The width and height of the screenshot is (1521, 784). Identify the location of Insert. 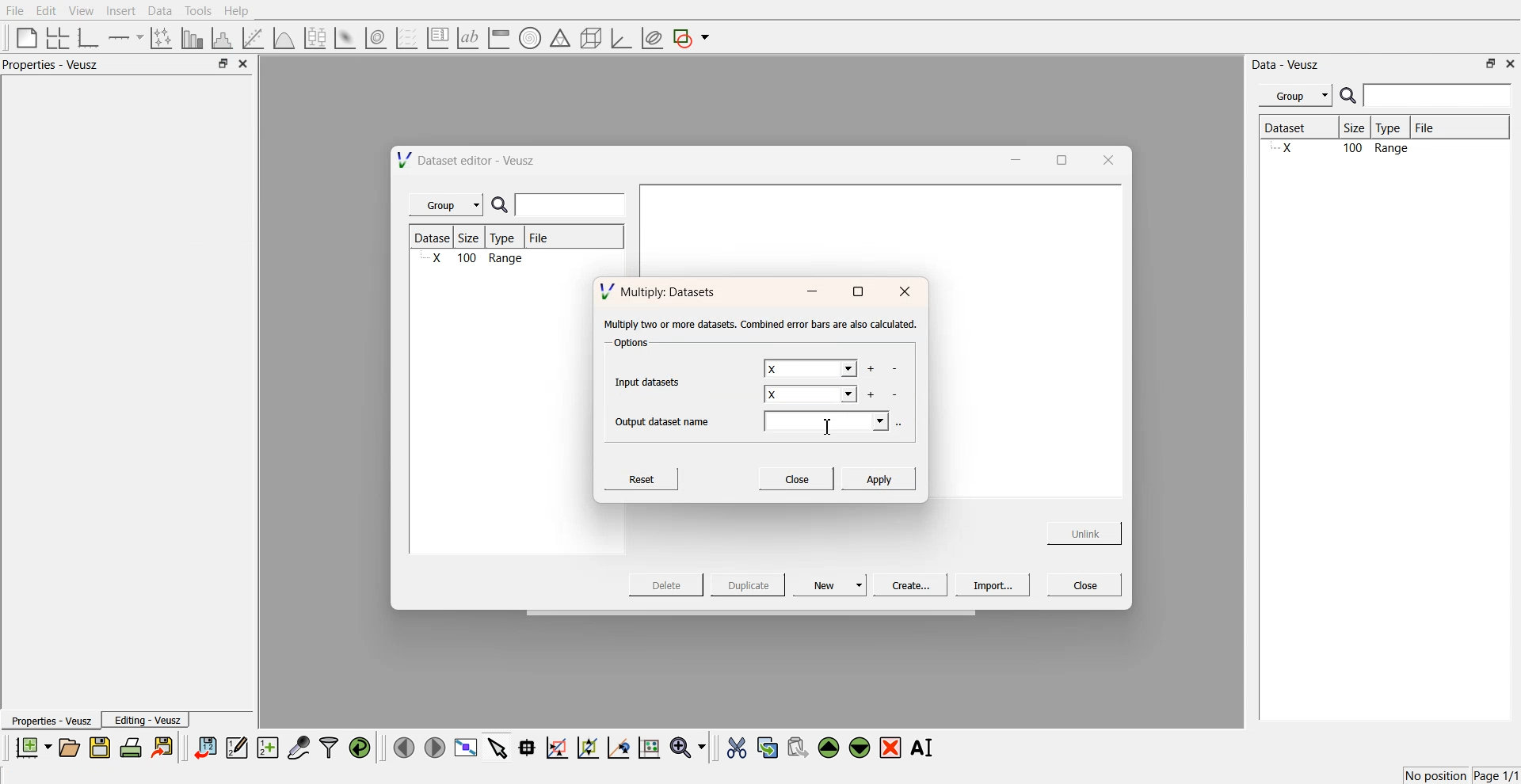
(119, 11).